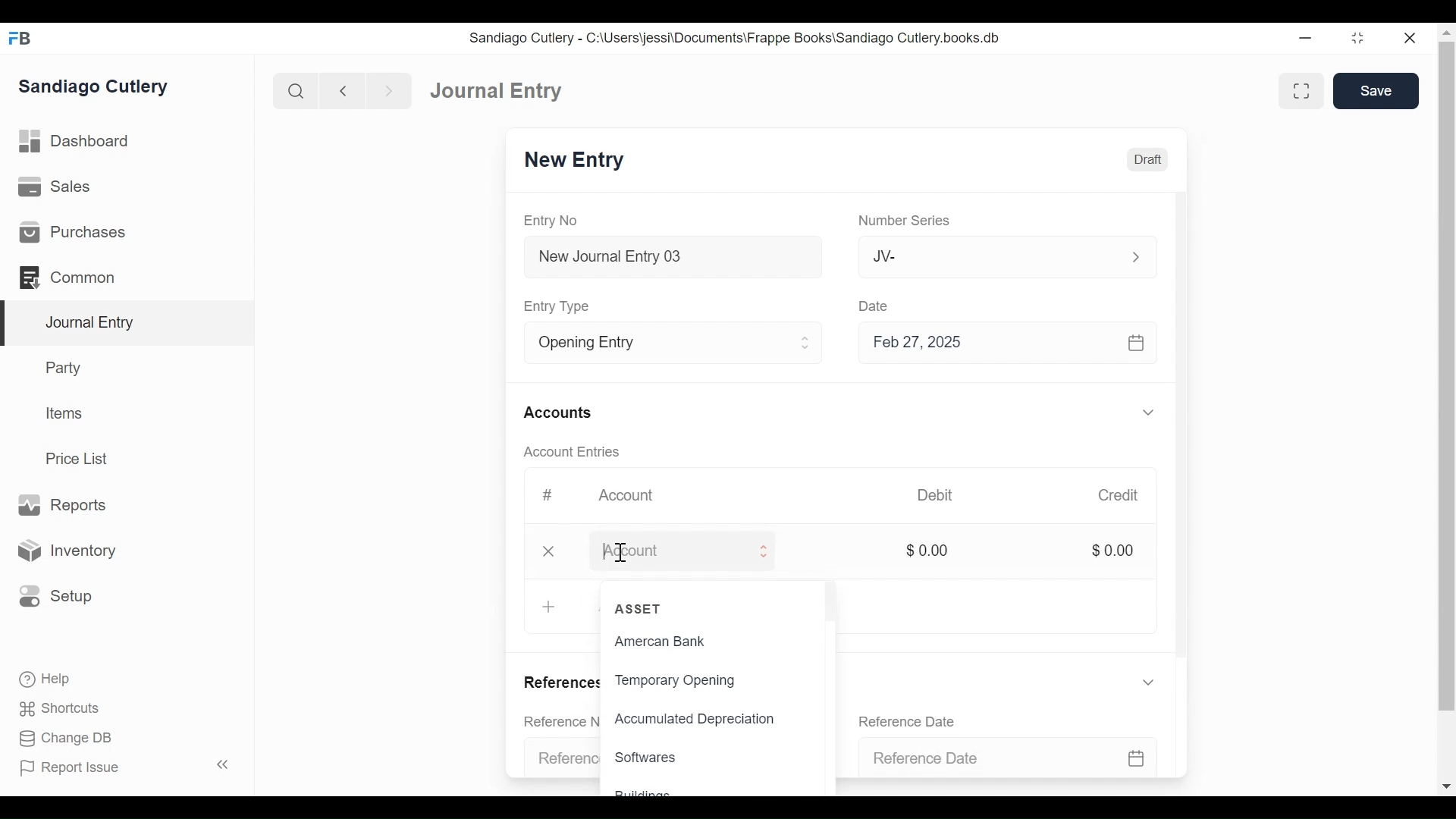  I want to click on Expand, so click(807, 342).